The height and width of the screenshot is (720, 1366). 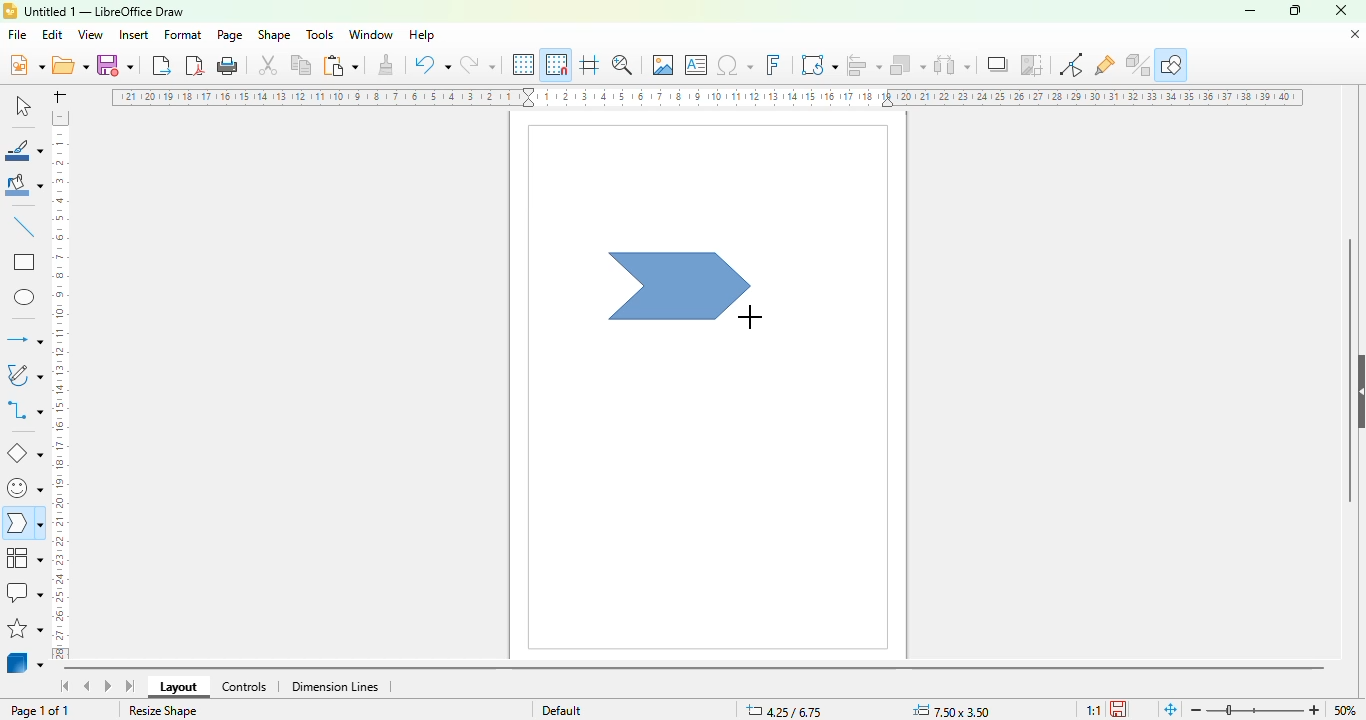 I want to click on toggle point edit mode, so click(x=1071, y=64).